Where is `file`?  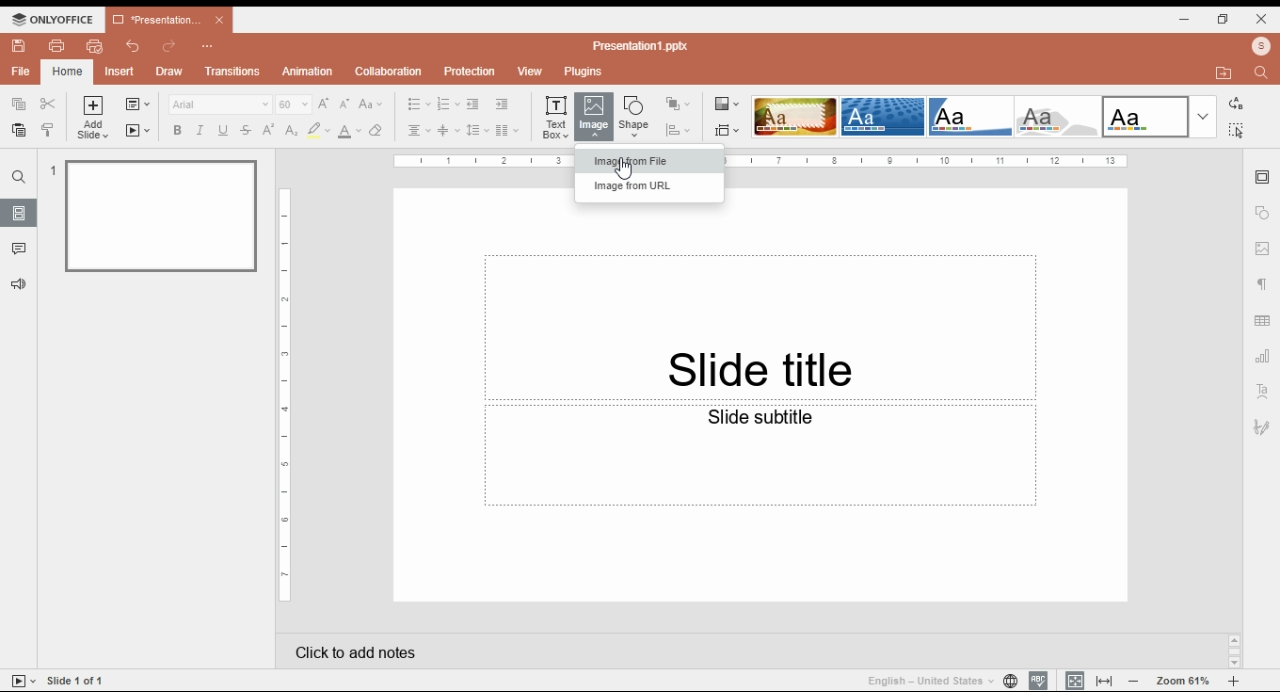
file is located at coordinates (22, 72).